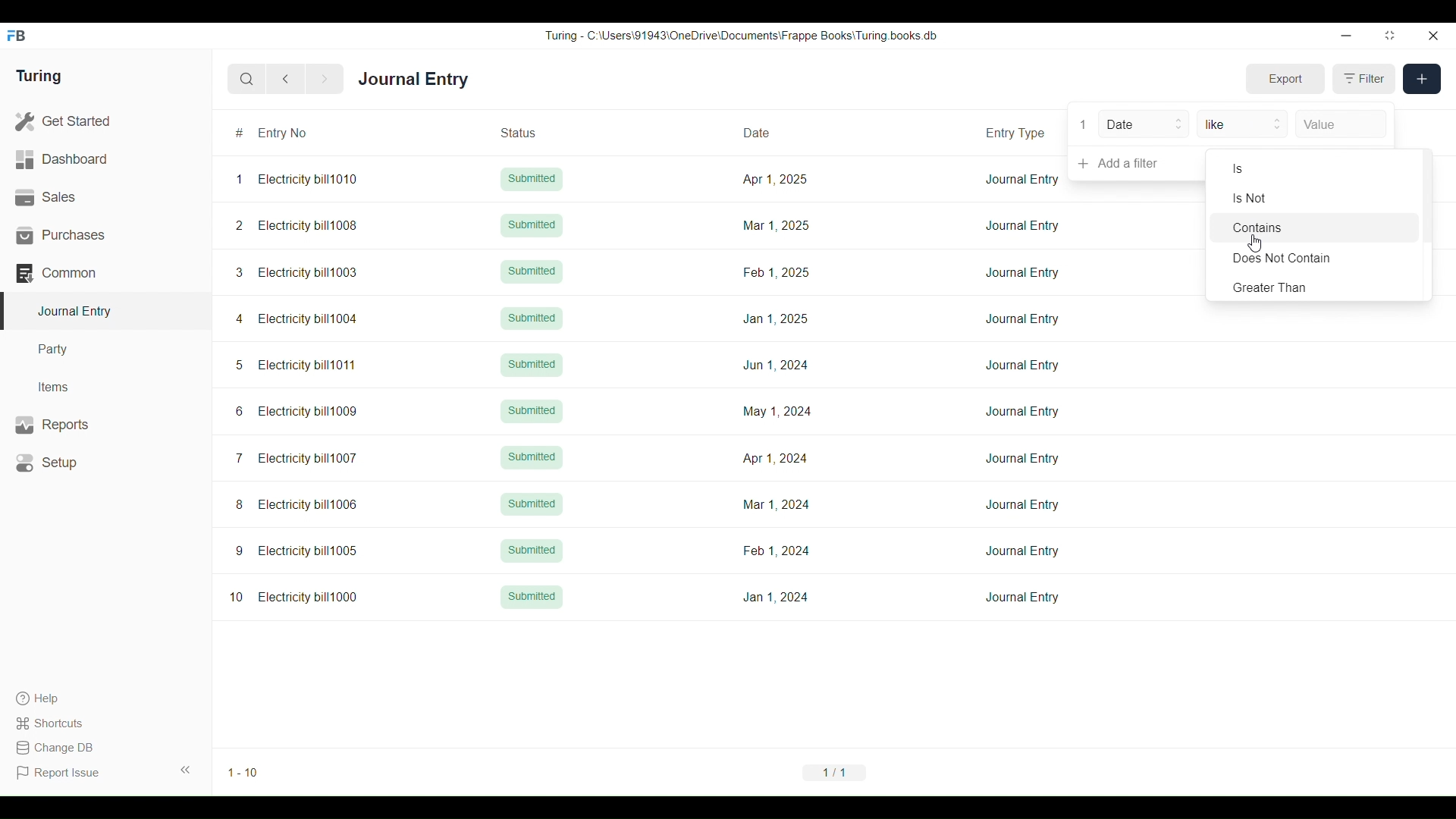  I want to click on Next, so click(325, 80).